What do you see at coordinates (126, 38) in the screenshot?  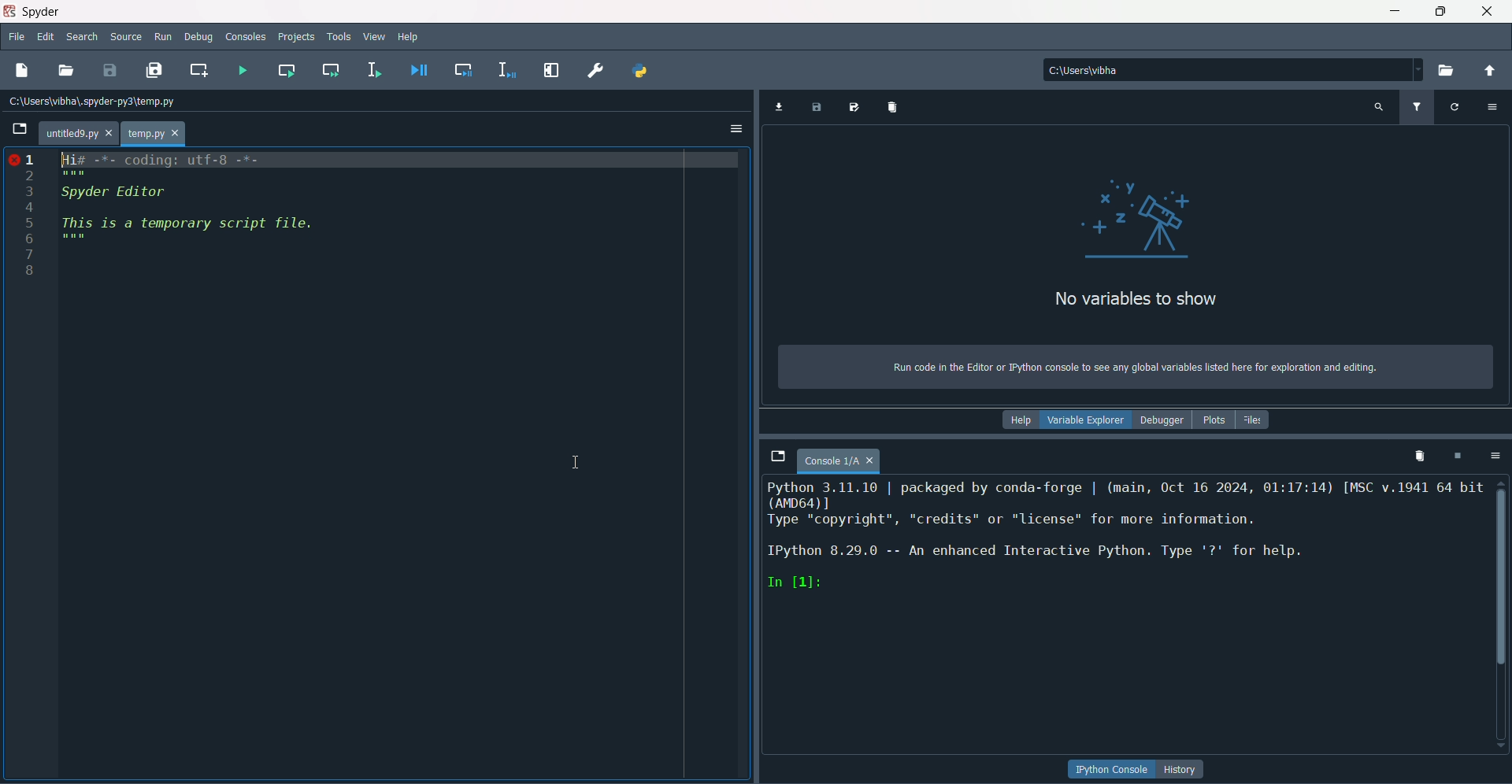 I see `source` at bounding box center [126, 38].